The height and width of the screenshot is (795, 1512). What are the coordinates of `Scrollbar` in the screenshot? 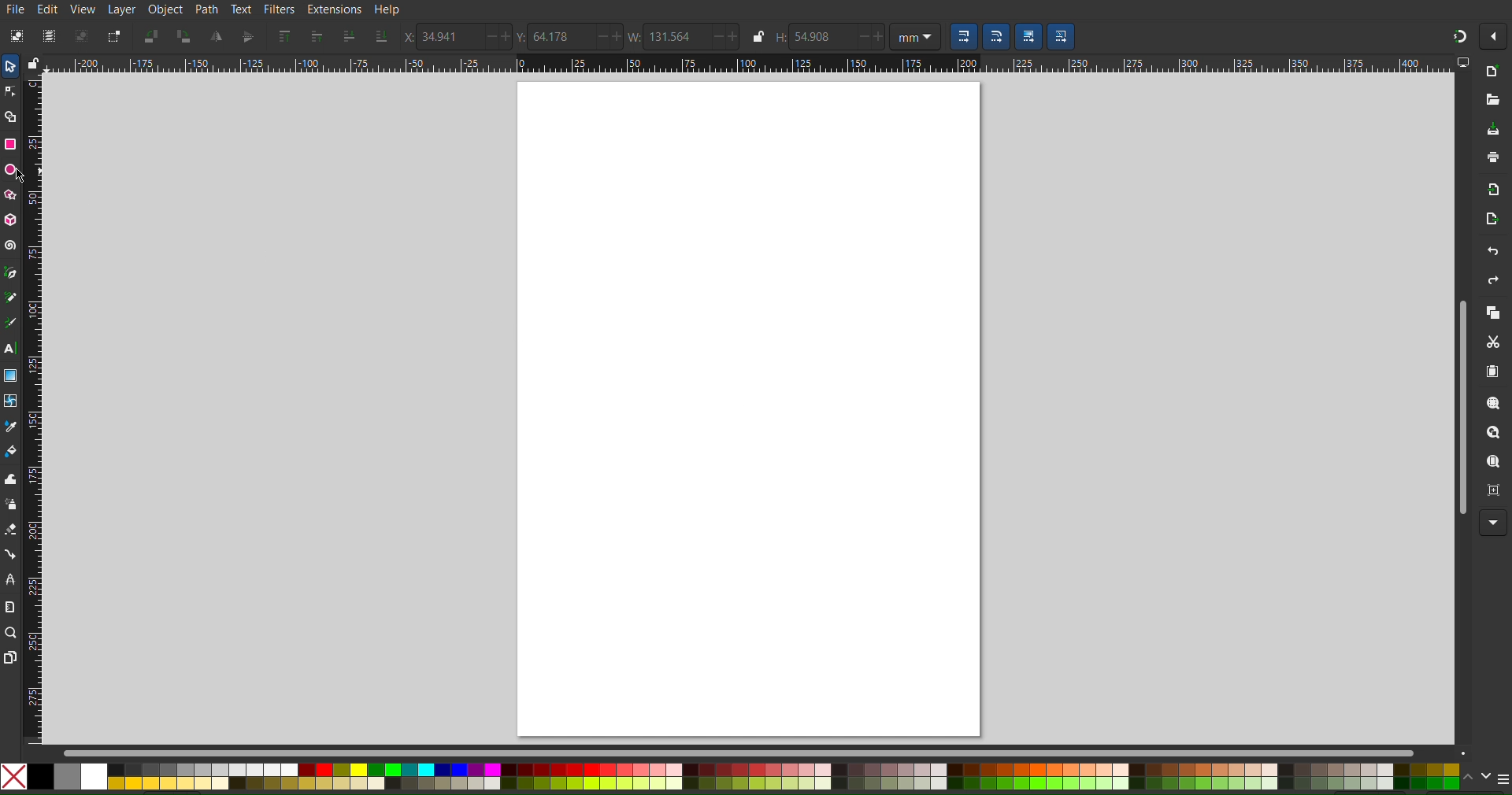 It's located at (1461, 401).